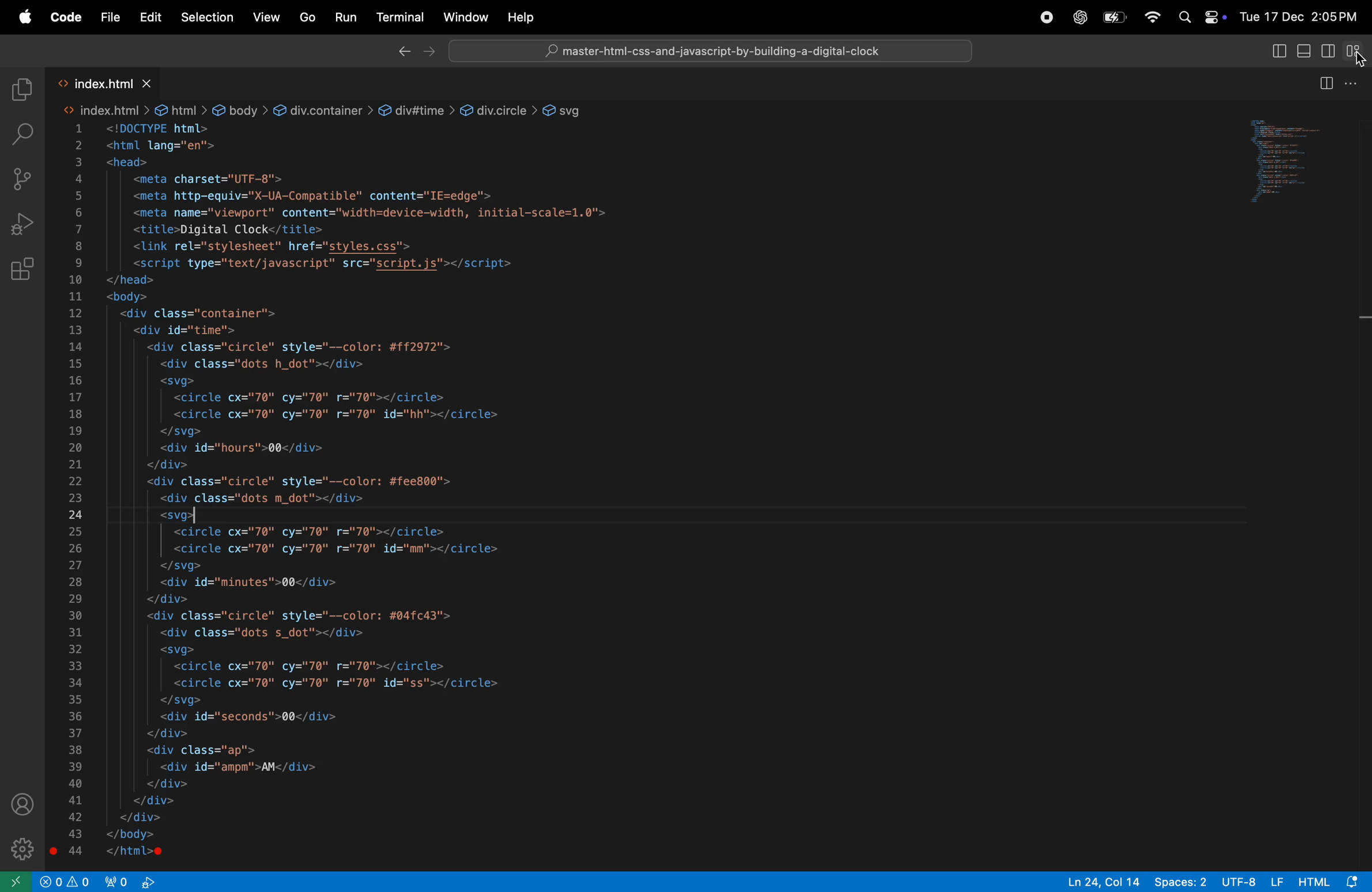 The height and width of the screenshot is (892, 1372). Describe the element at coordinates (1299, 16) in the screenshot. I see `Tue 17 Dec 2:05 PM` at that location.